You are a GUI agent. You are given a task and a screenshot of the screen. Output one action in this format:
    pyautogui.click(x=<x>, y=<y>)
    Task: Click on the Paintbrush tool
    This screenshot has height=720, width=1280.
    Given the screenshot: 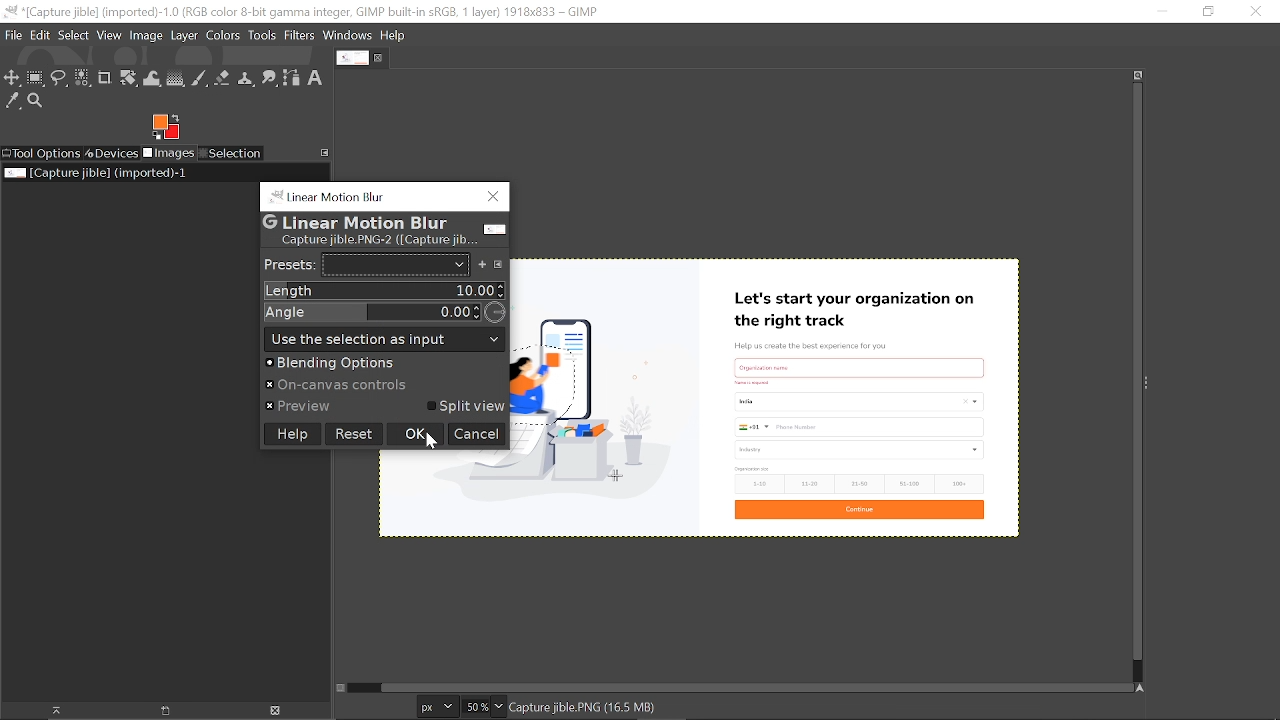 What is the action you would take?
    pyautogui.click(x=200, y=79)
    